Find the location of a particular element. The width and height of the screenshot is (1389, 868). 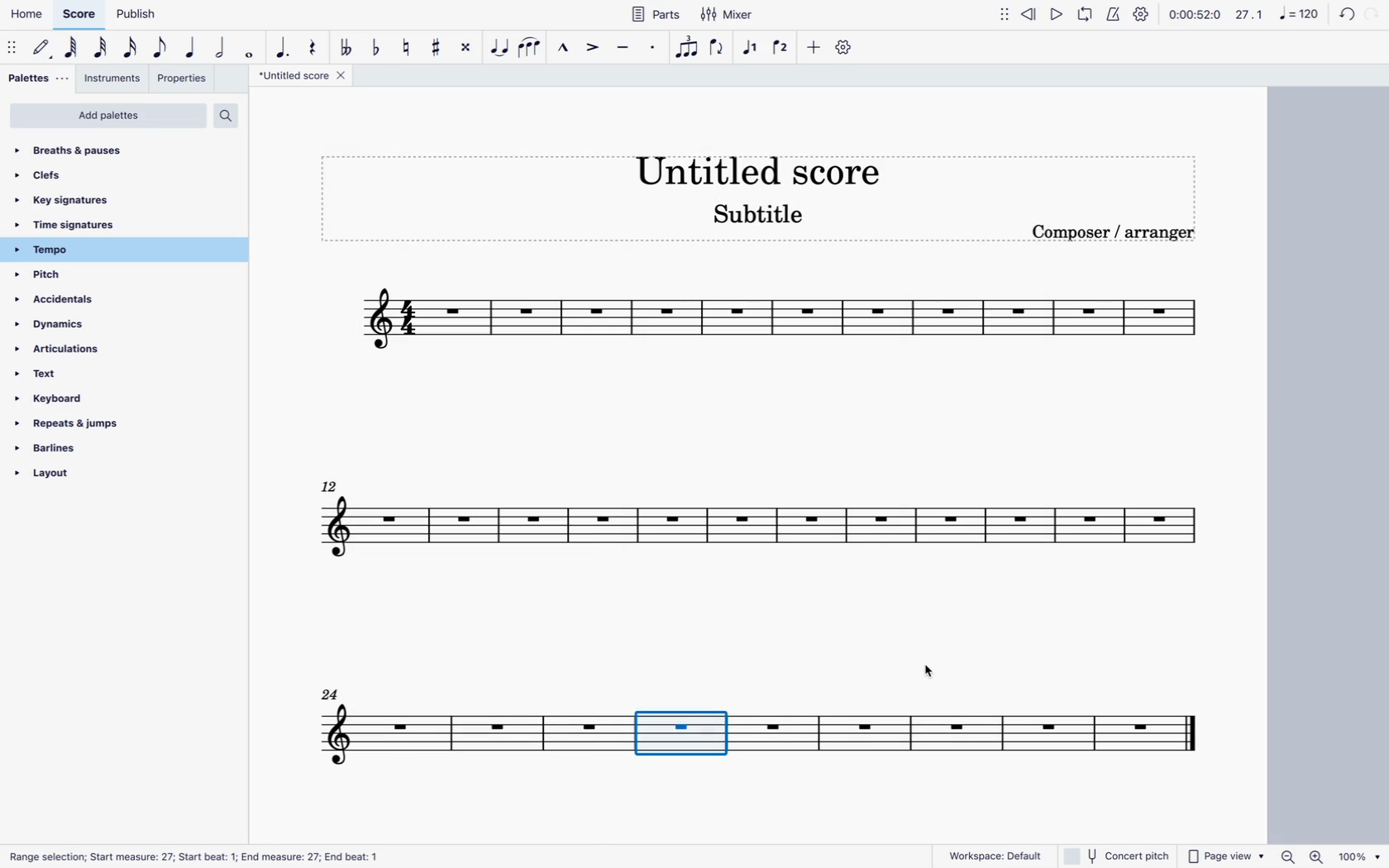

staccato is located at coordinates (654, 48).